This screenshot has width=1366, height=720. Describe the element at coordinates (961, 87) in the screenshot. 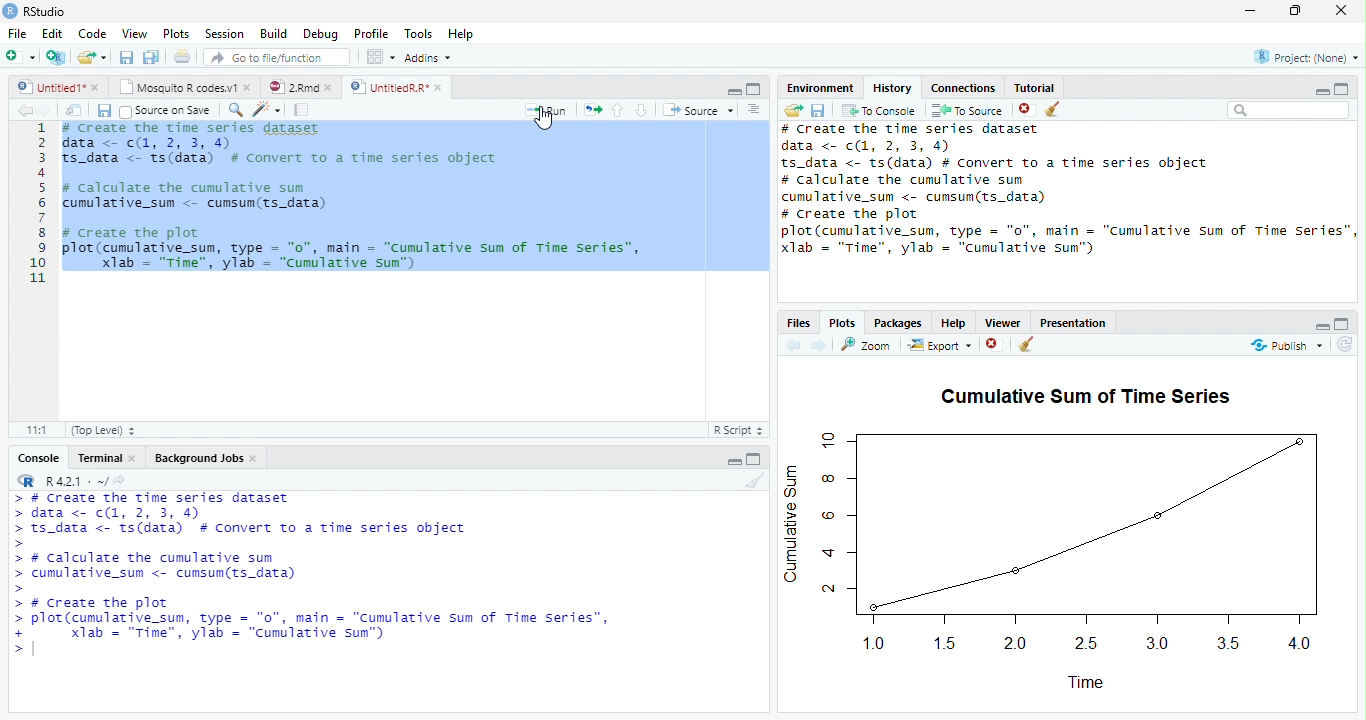

I see `Connections` at that location.